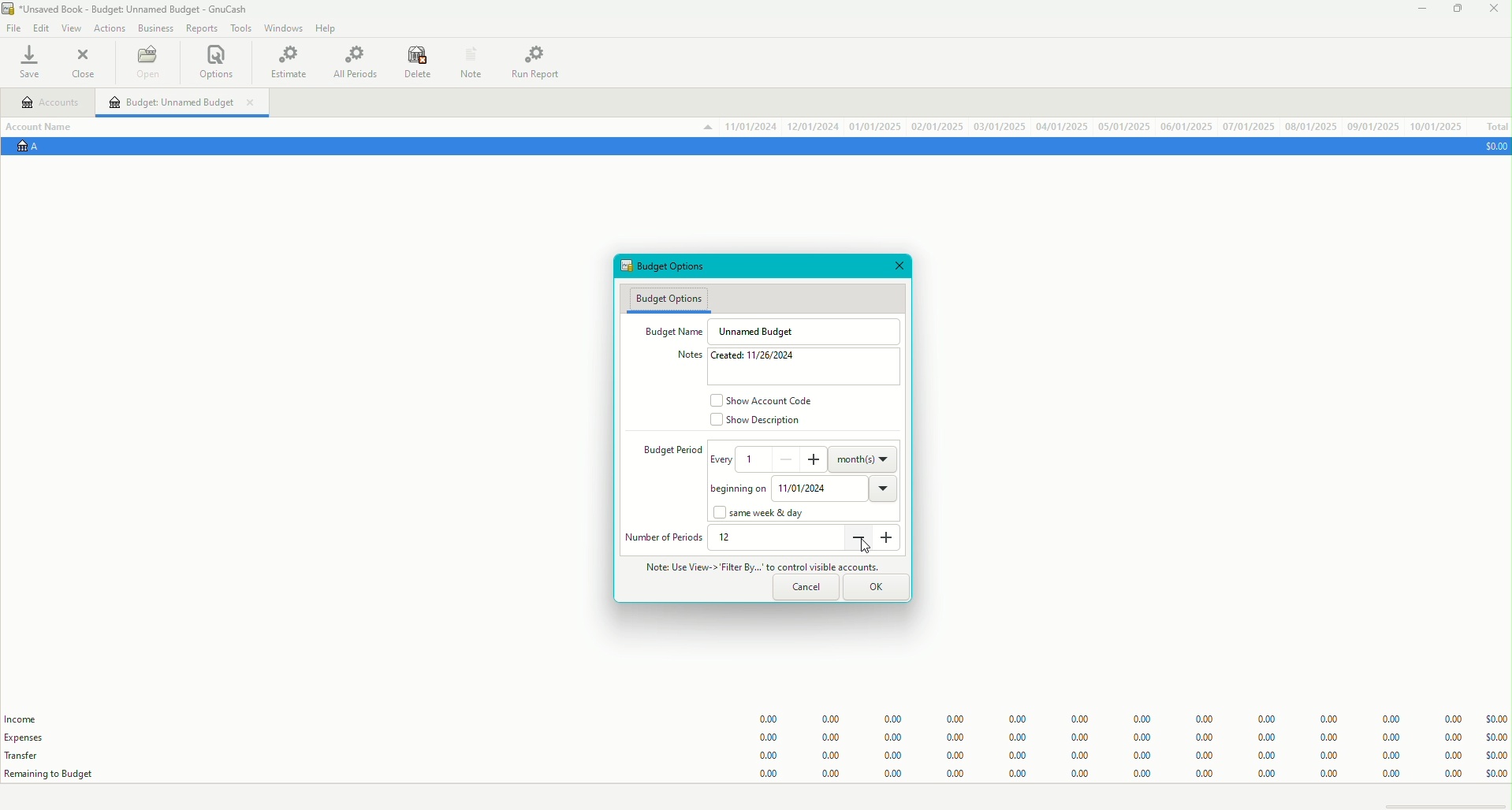 This screenshot has height=810, width=1512. Describe the element at coordinates (184, 102) in the screenshot. I see `Unnamed Budget` at that location.